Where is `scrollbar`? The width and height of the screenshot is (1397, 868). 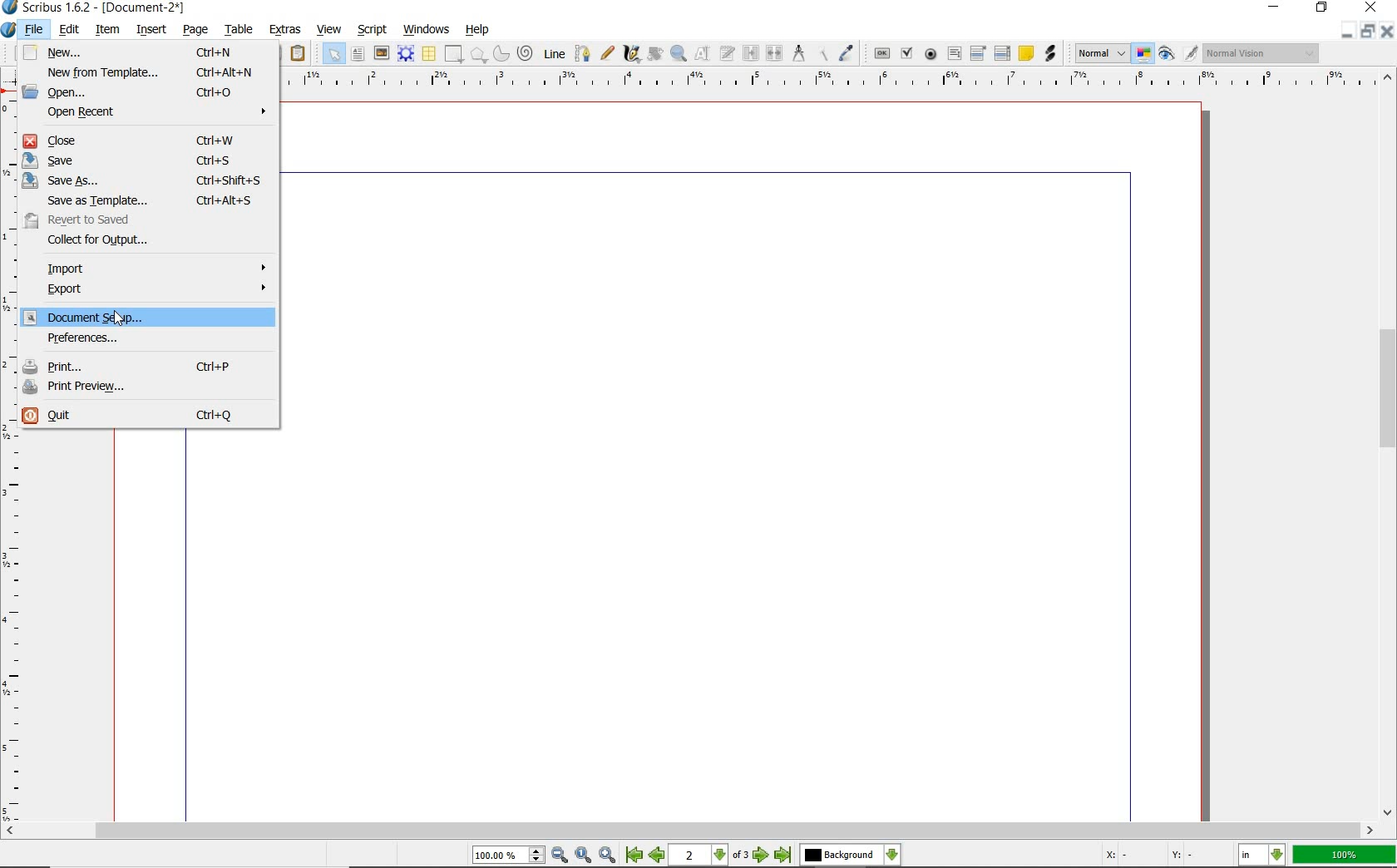
scrollbar is located at coordinates (1389, 445).